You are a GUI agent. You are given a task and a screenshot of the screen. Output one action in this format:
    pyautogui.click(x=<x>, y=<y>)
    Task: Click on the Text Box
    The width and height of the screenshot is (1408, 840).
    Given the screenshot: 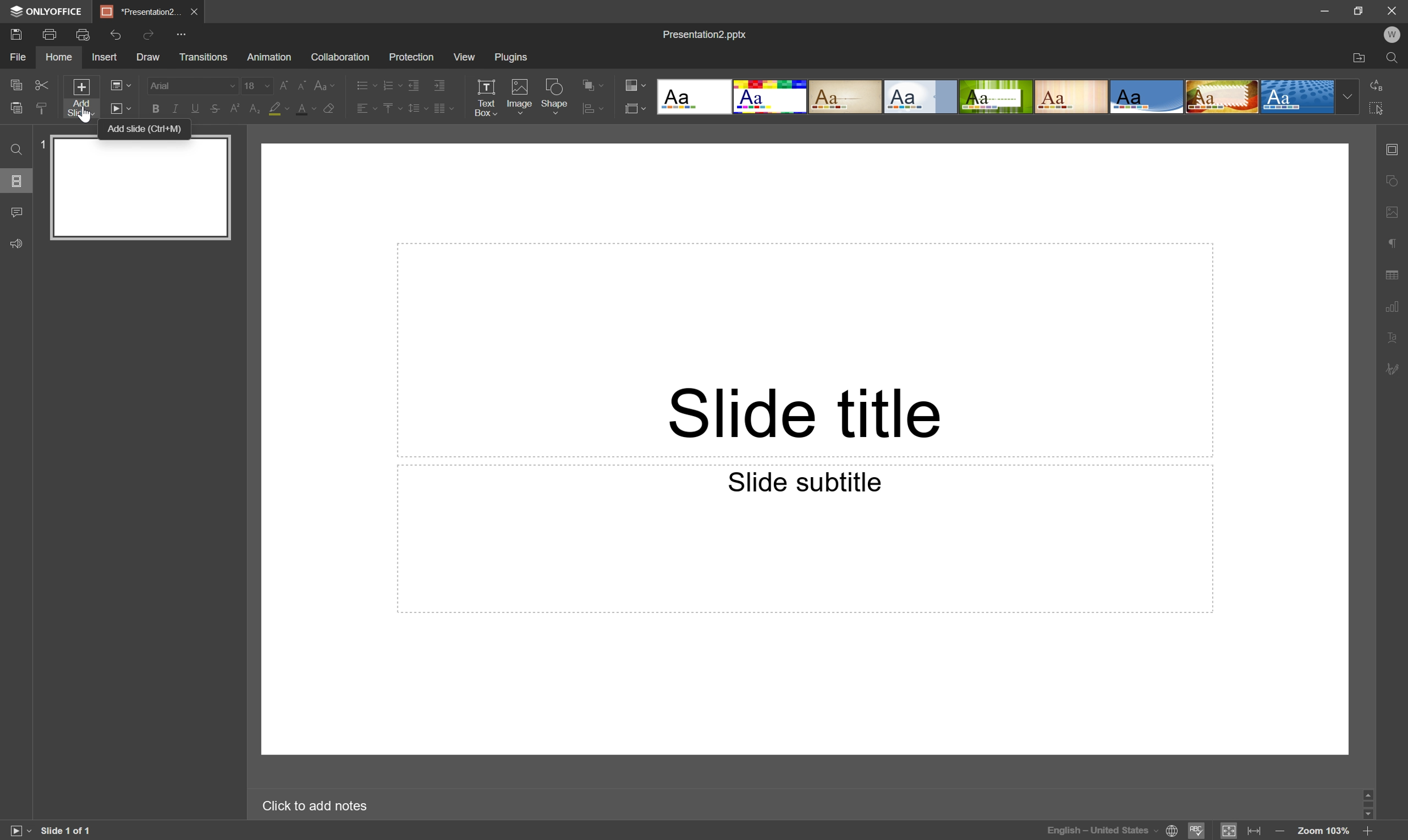 What is the action you would take?
    pyautogui.click(x=489, y=96)
    